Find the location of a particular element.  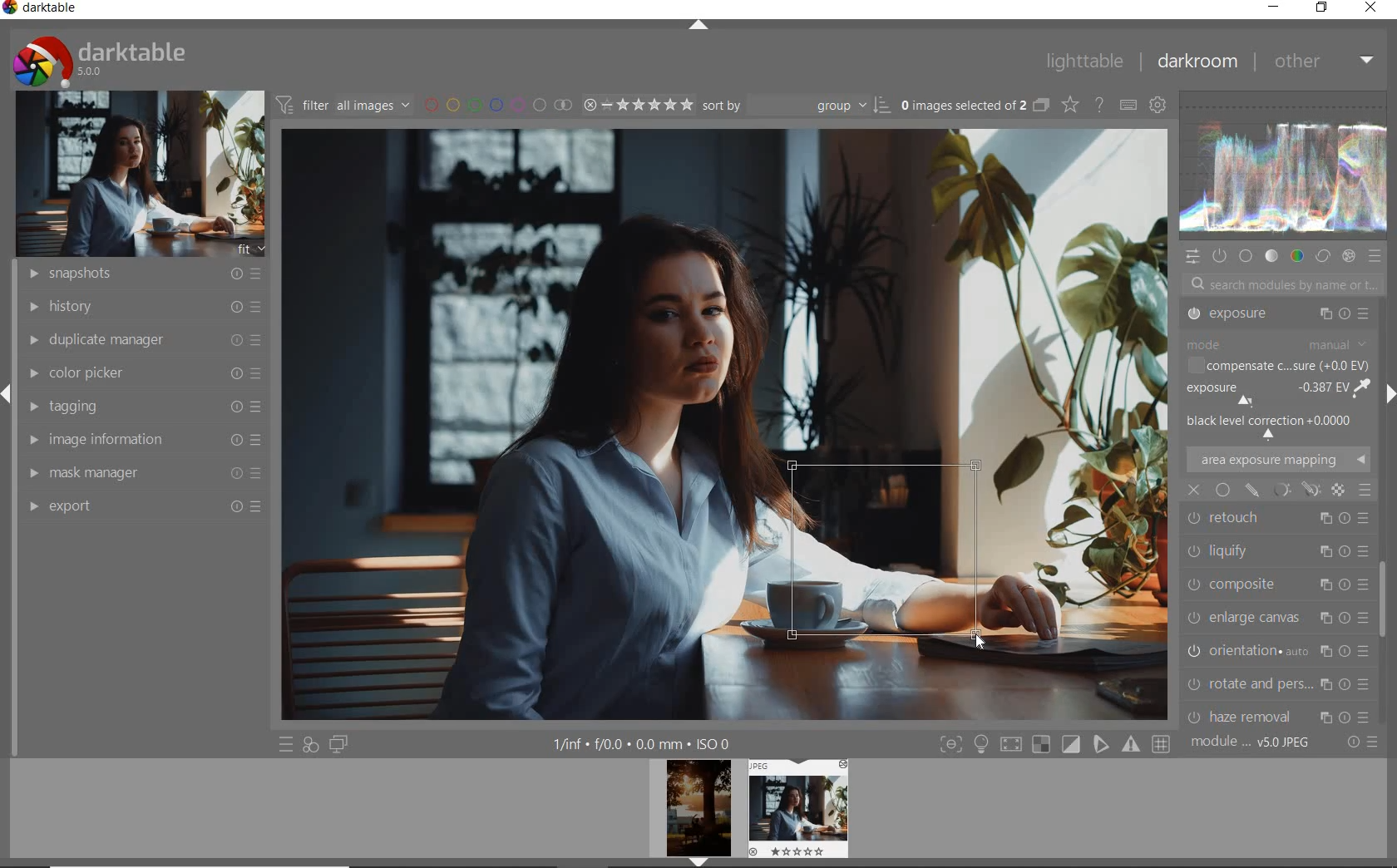

DISPLAY A SECOND DARKROOM IMAGE WINDOW is located at coordinates (339, 745).